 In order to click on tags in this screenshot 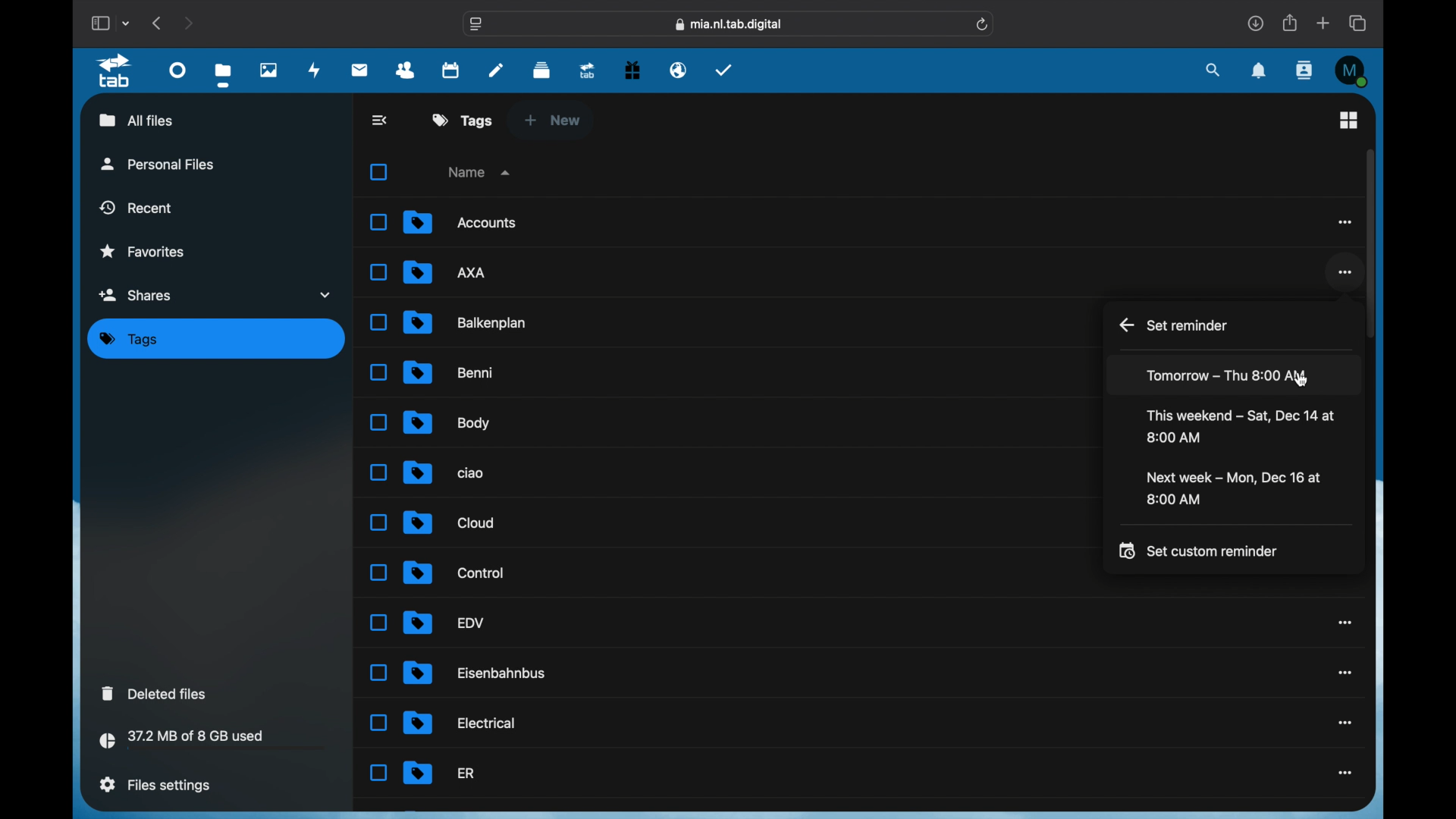, I will do `click(463, 120)`.